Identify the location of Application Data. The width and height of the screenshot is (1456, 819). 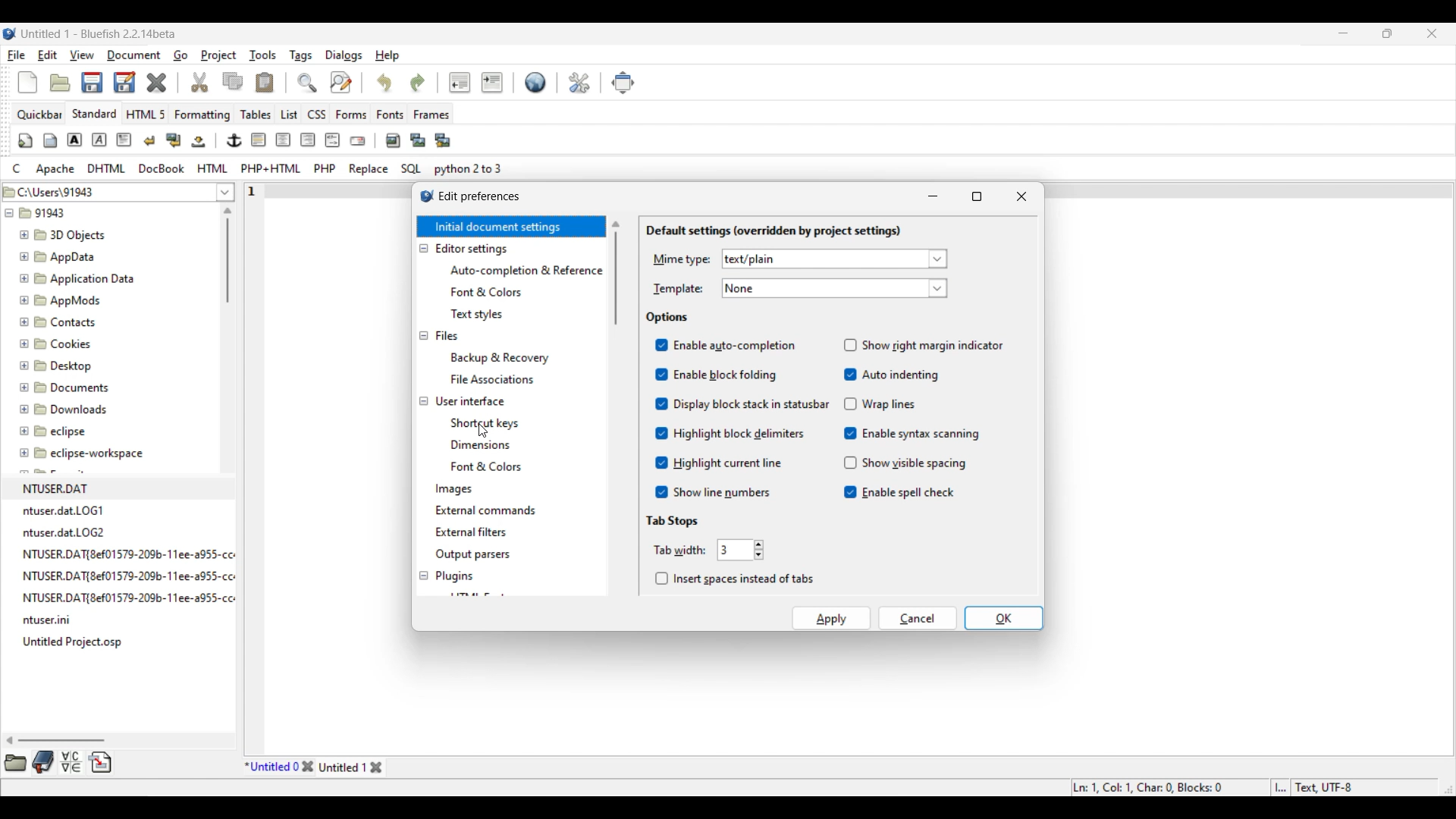
(77, 276).